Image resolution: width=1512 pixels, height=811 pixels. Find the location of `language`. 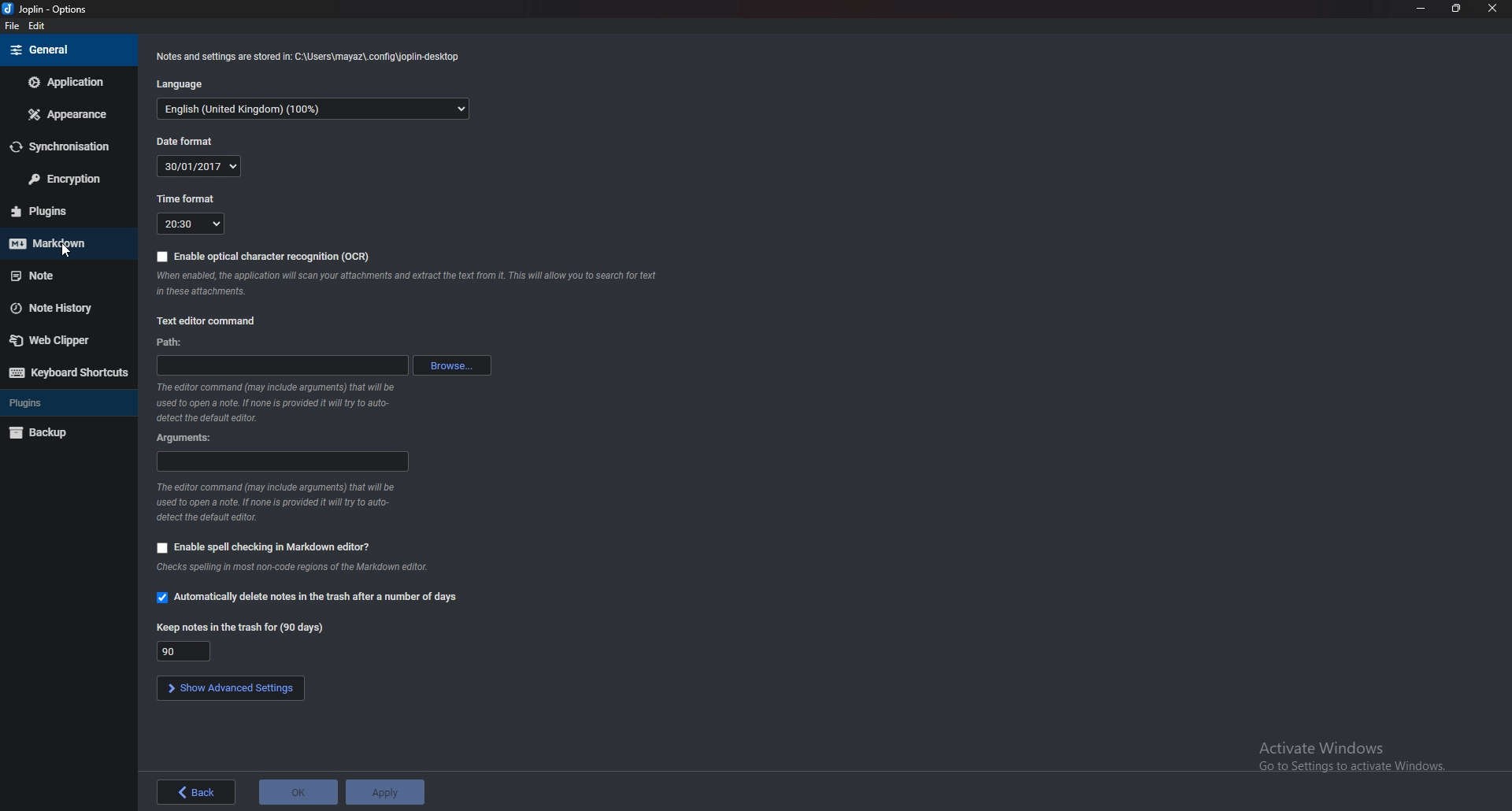

language is located at coordinates (183, 84).